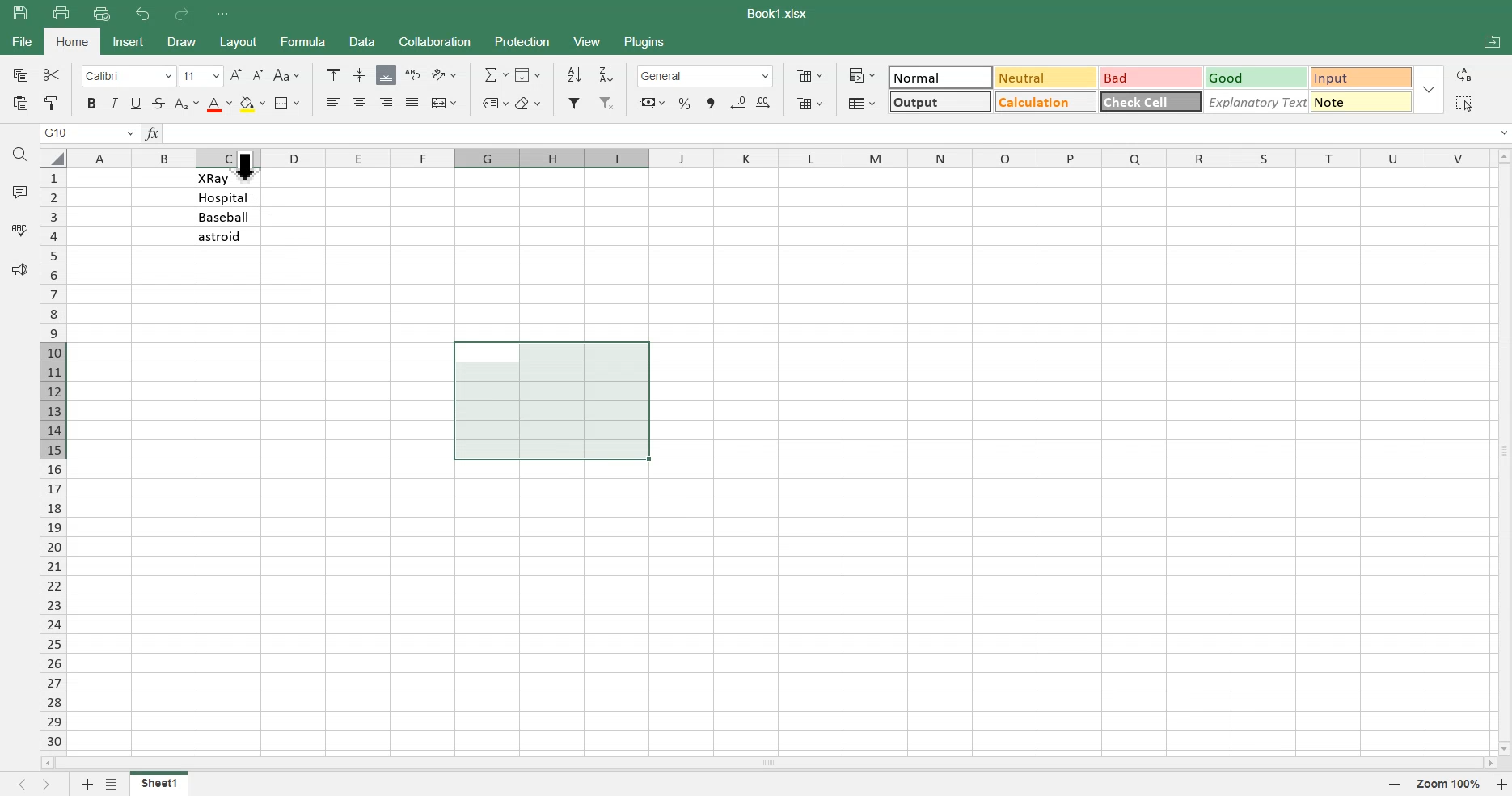  I want to click on Align Center, so click(361, 75).